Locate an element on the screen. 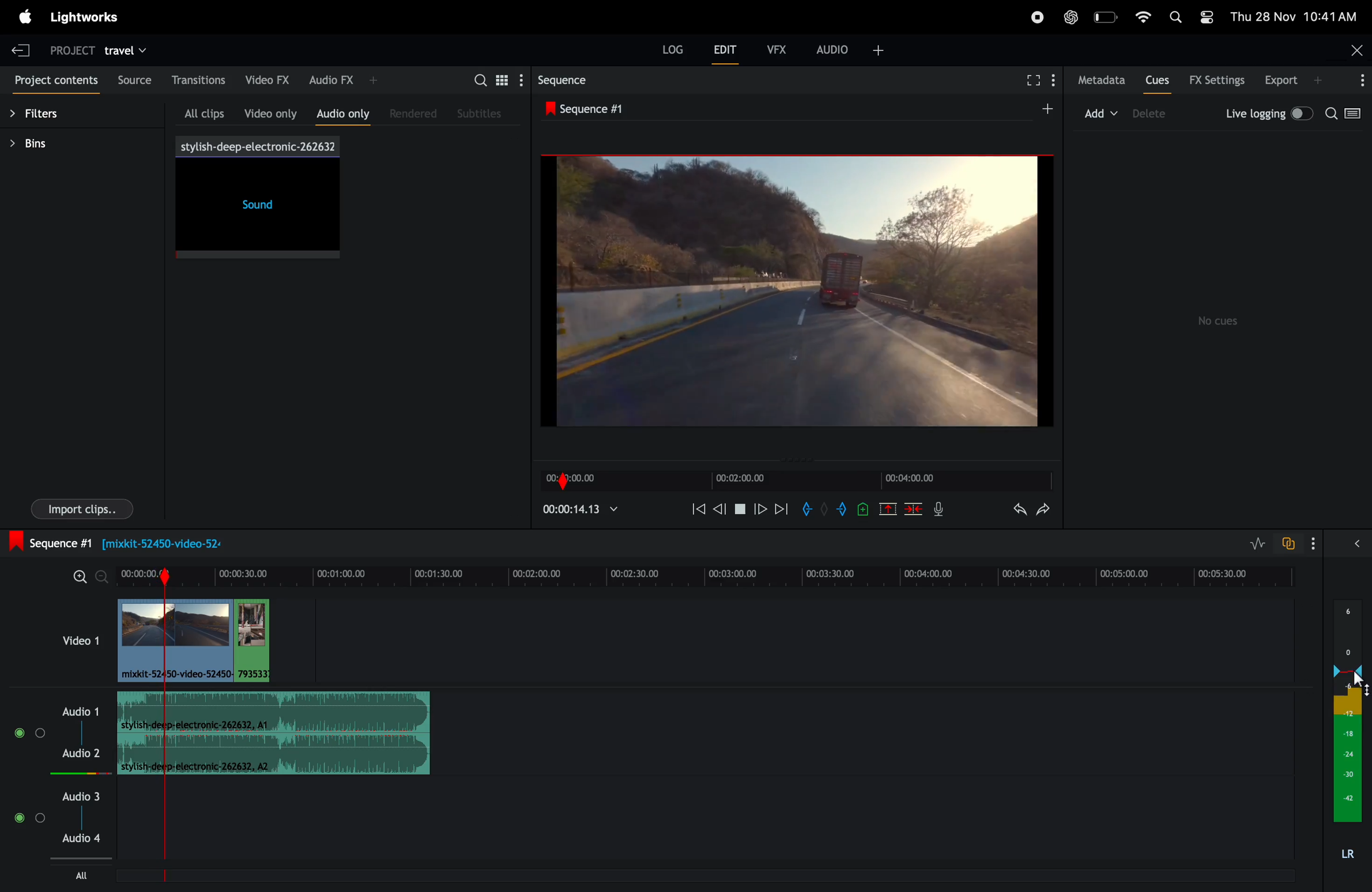 The width and height of the screenshot is (1372, 892). audio clips is located at coordinates (207, 638).